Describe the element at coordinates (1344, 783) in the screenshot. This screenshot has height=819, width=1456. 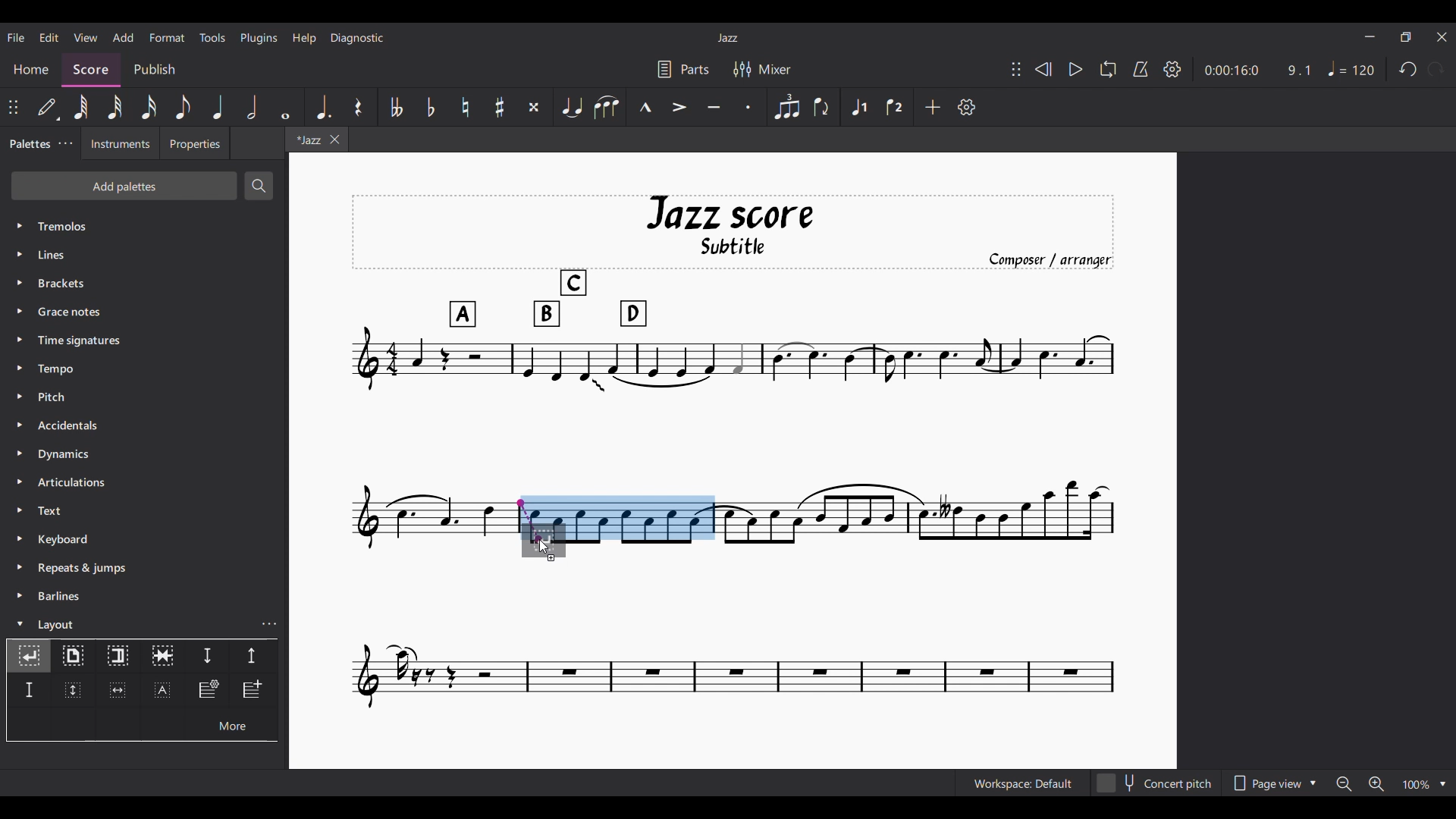
I see `Zoom out` at that location.